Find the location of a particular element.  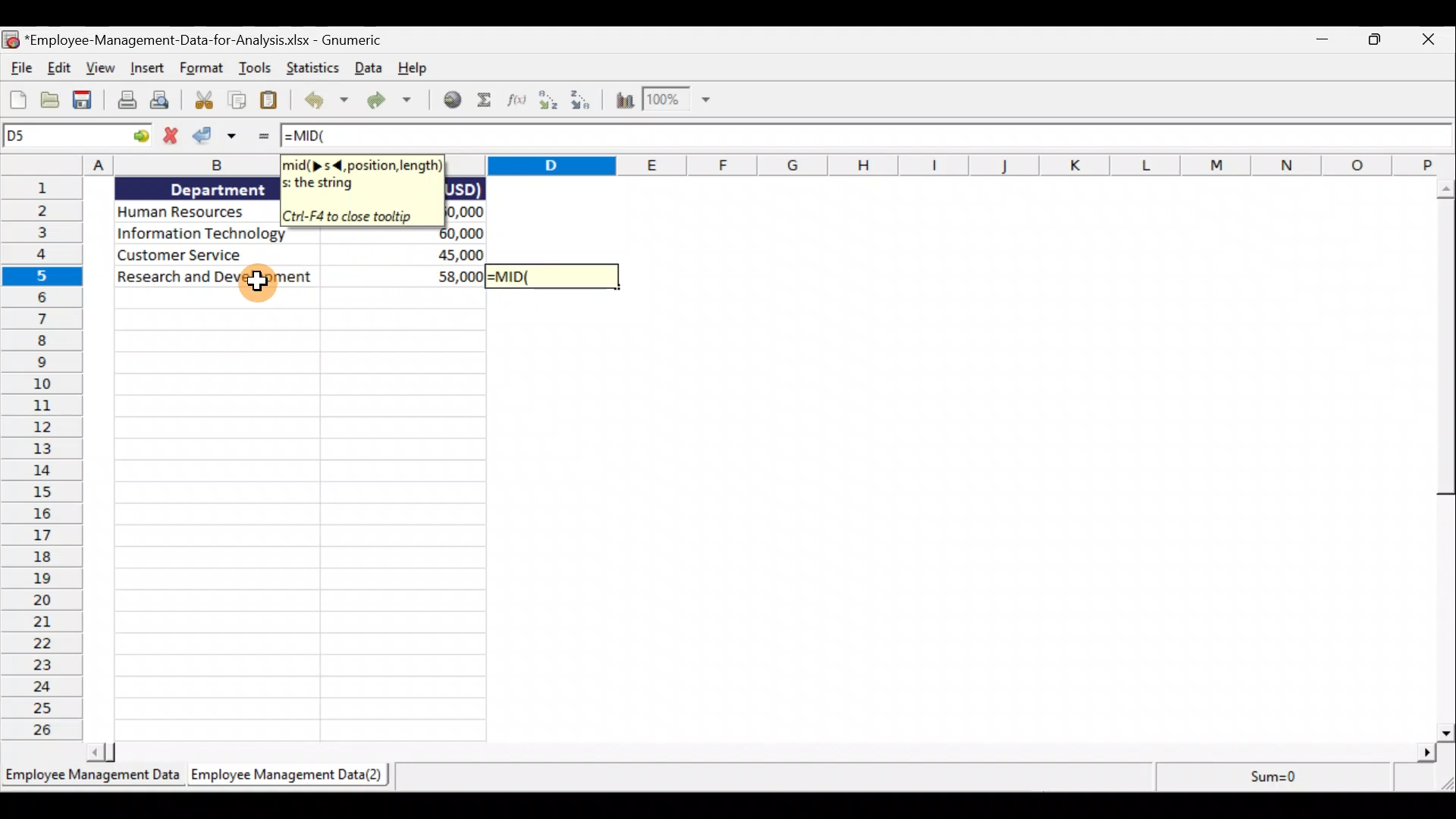

Cancel change is located at coordinates (168, 137).